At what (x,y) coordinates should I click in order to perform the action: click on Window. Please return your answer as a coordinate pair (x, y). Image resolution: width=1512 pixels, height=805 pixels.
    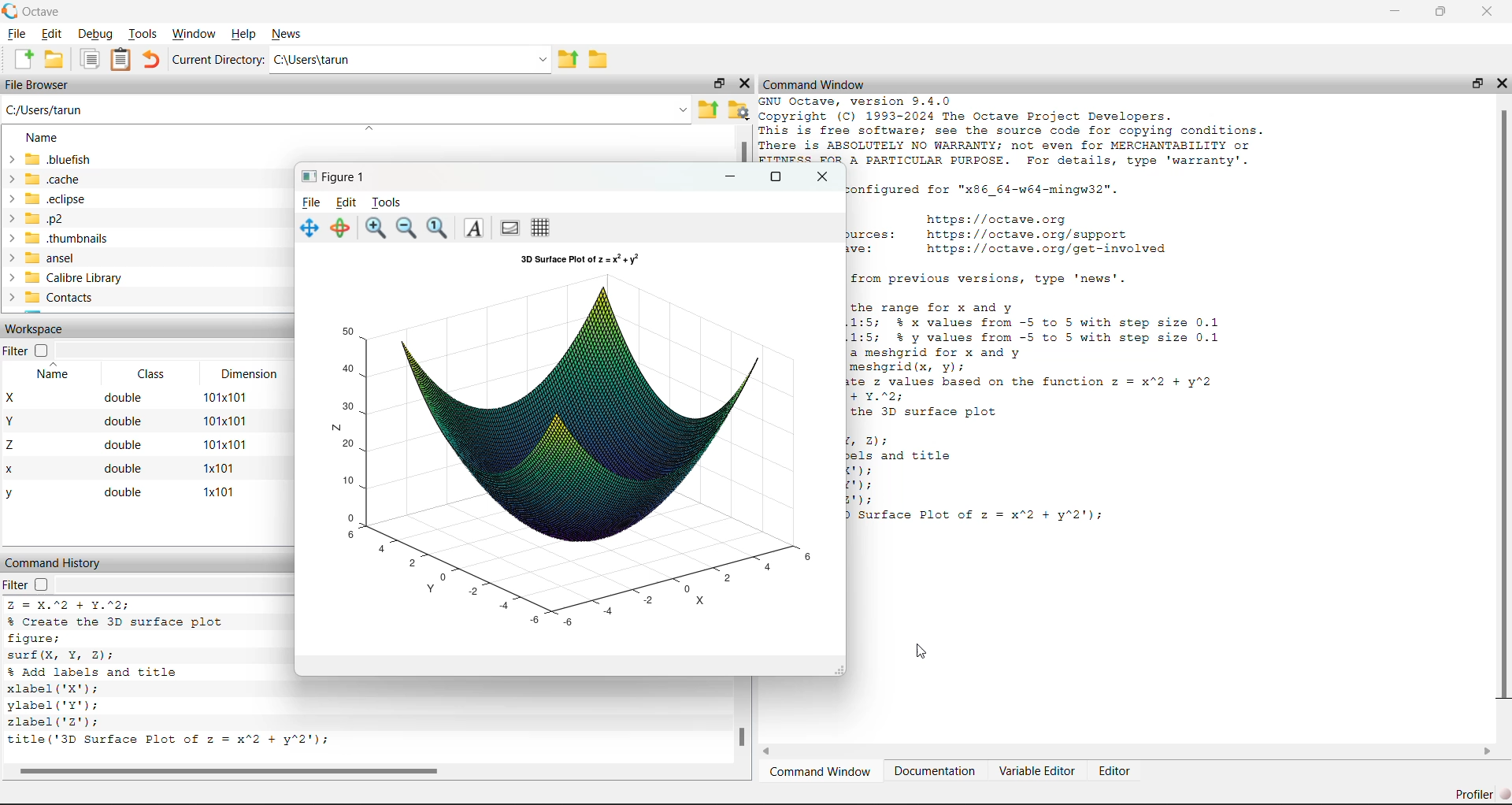
    Looking at the image, I should click on (194, 33).